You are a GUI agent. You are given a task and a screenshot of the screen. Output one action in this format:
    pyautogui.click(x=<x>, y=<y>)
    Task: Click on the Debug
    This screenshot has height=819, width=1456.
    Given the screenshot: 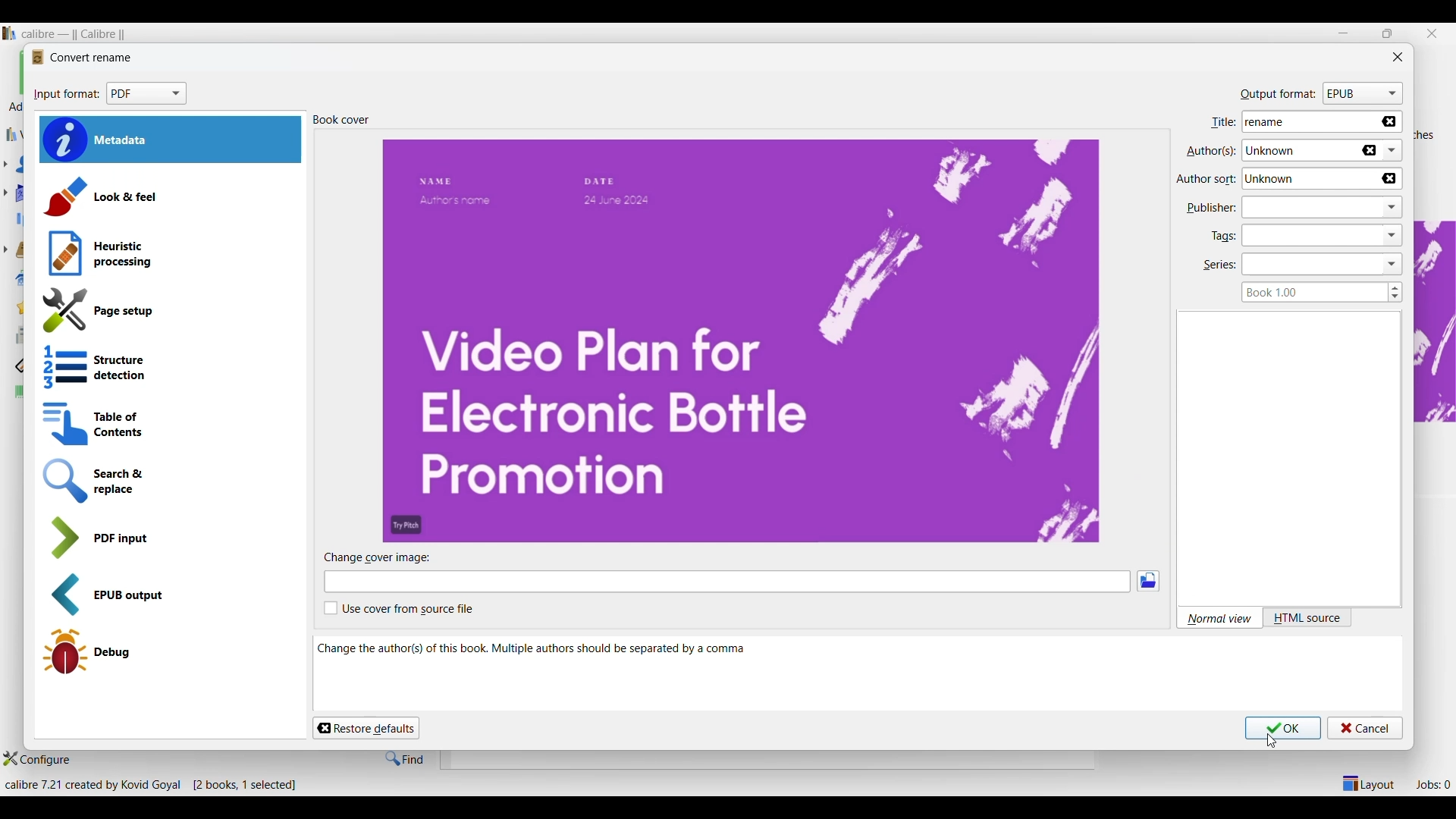 What is the action you would take?
    pyautogui.click(x=159, y=651)
    